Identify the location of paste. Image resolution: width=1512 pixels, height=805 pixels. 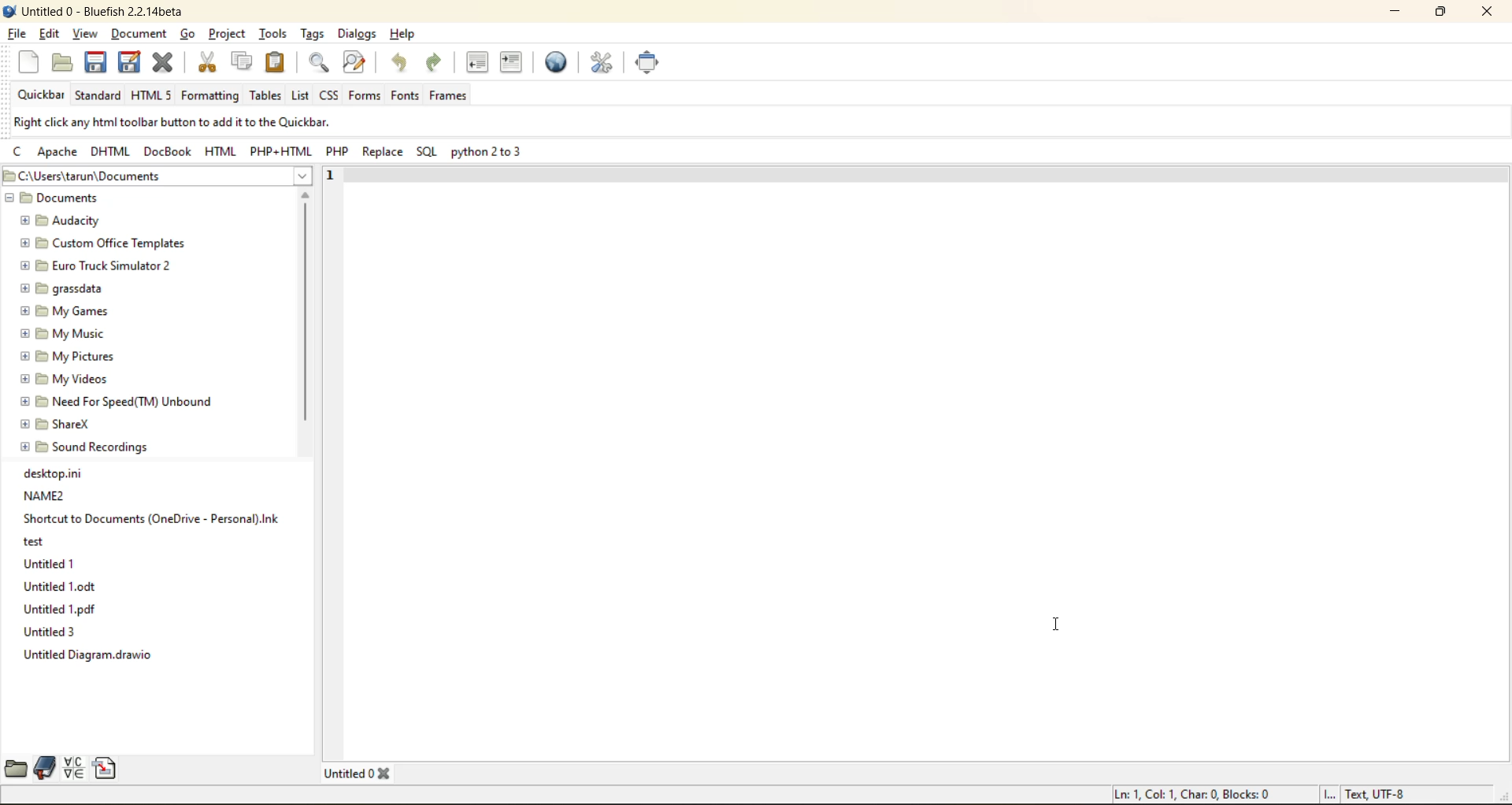
(277, 62).